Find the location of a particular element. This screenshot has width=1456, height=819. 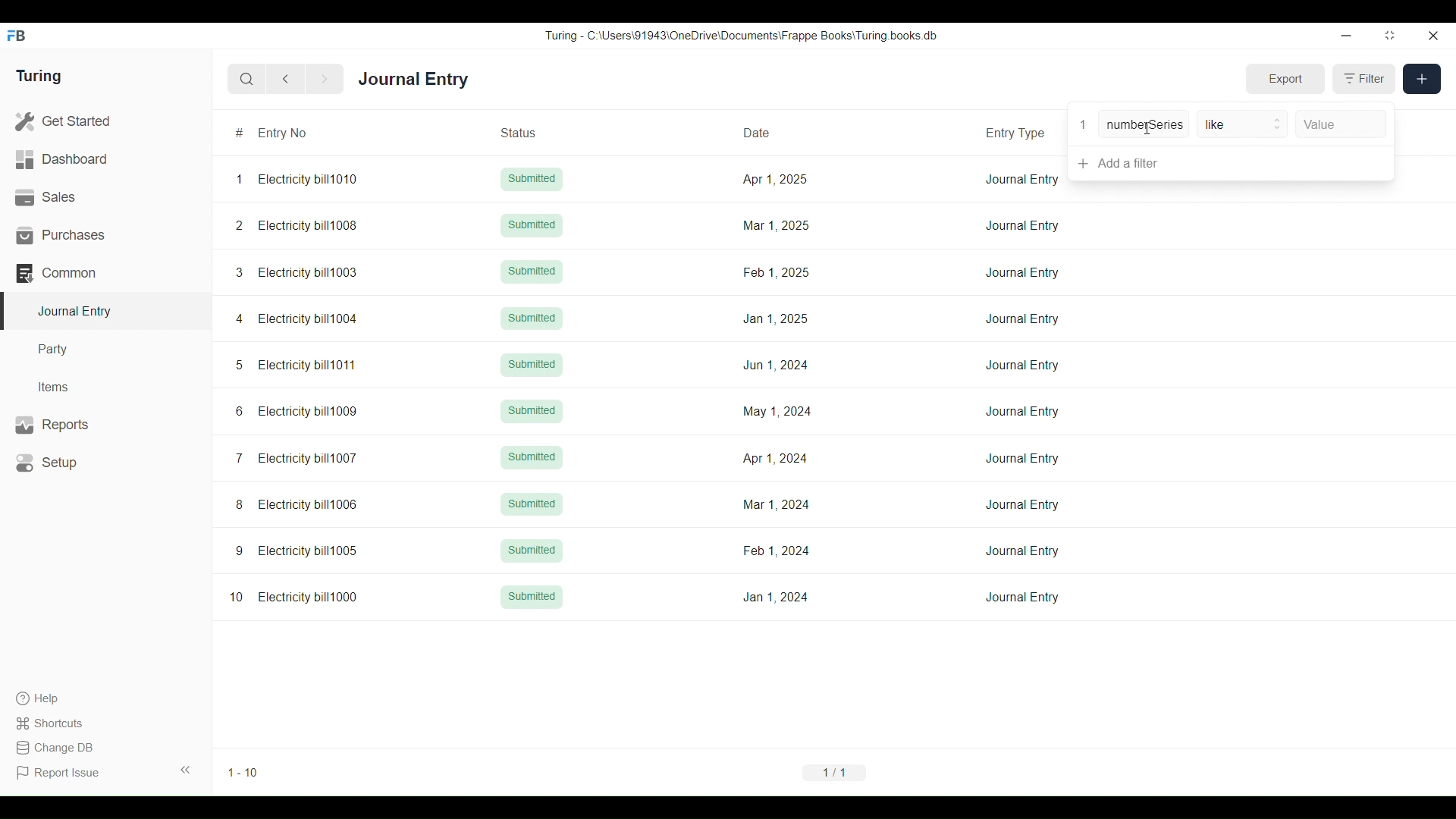

2 Electricity bill1008 is located at coordinates (297, 225).